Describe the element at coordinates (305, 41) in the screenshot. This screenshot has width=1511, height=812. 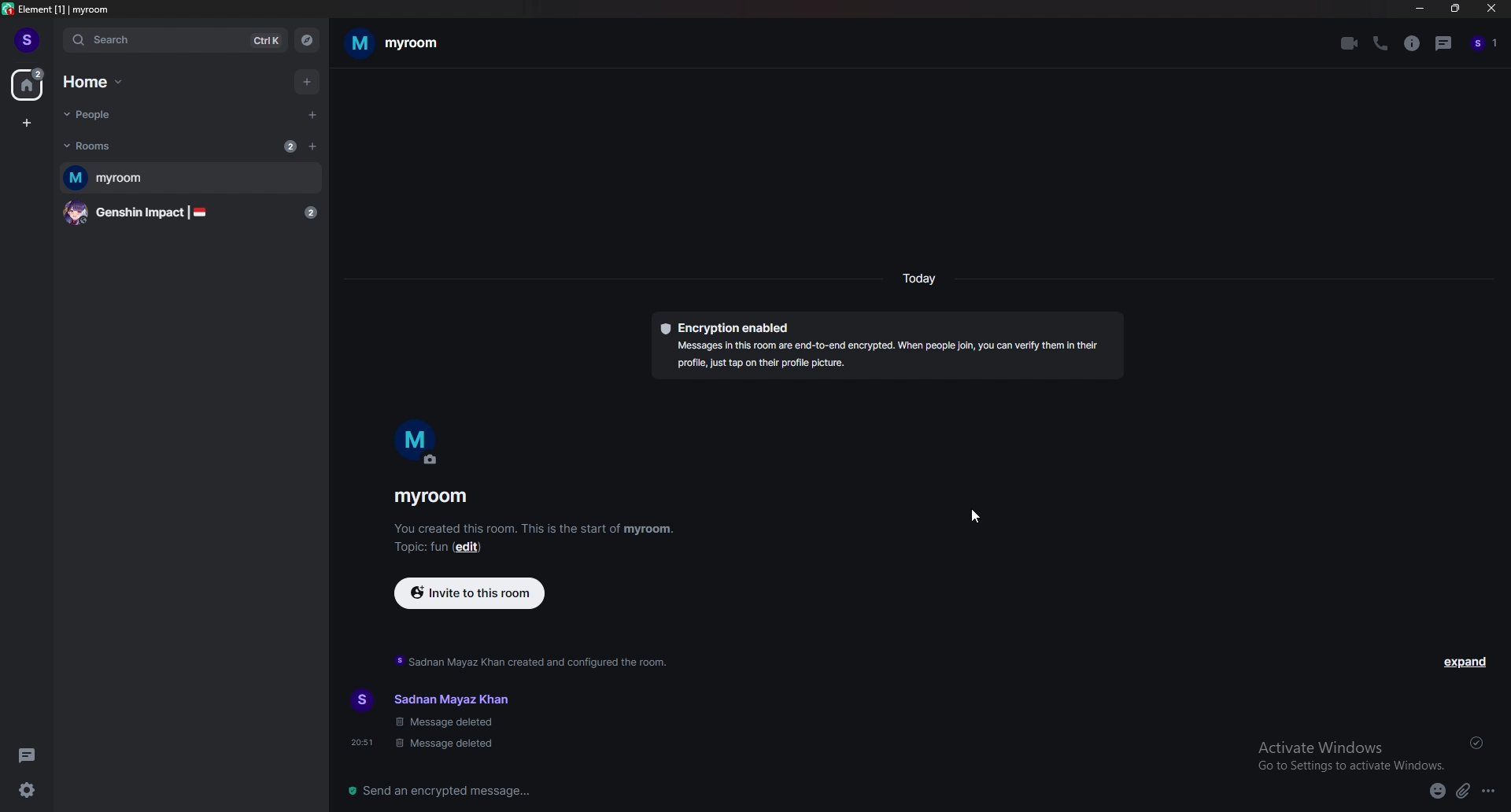
I see `explore rooms` at that location.